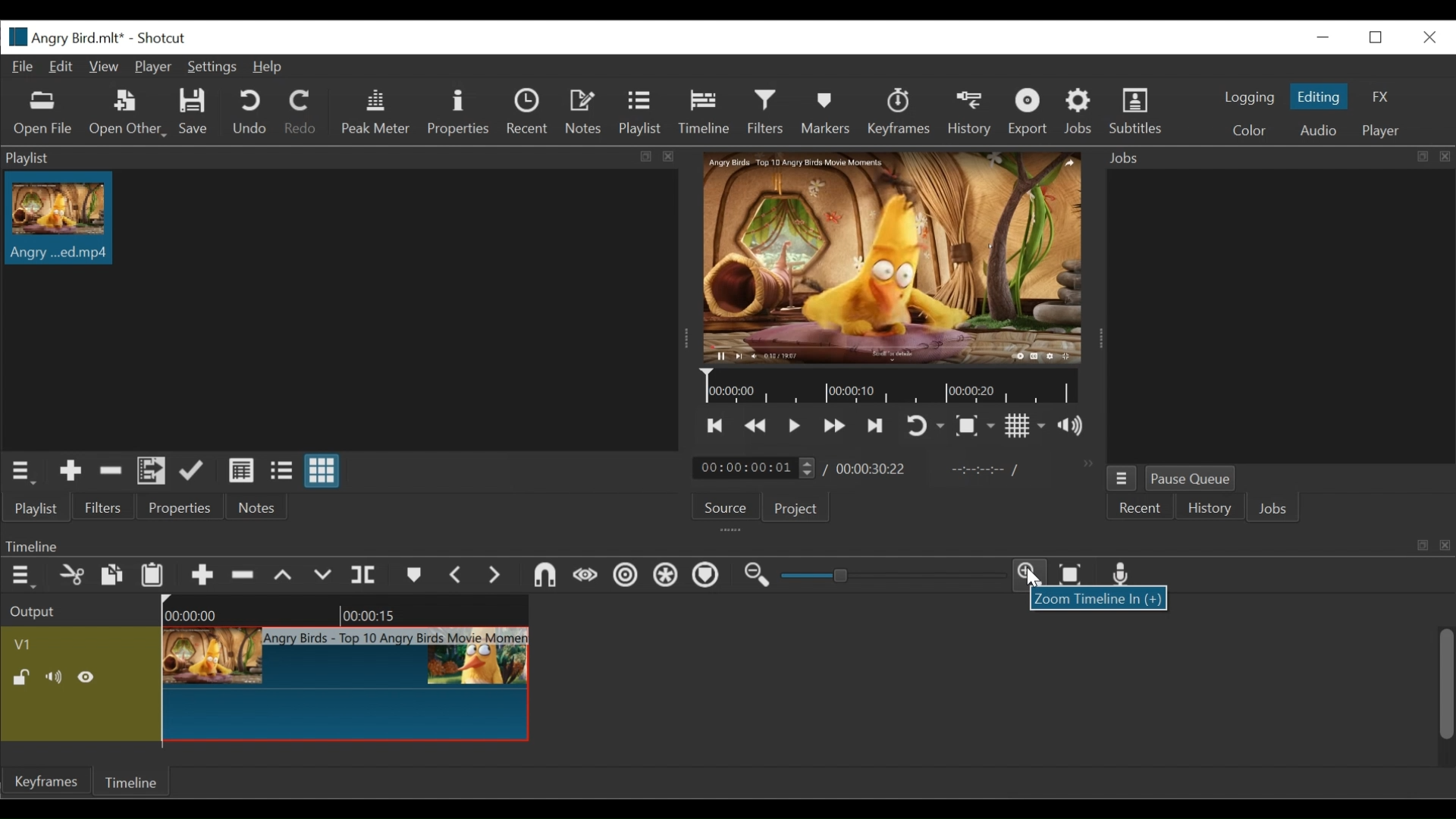  What do you see at coordinates (1249, 129) in the screenshot?
I see `Color` at bounding box center [1249, 129].